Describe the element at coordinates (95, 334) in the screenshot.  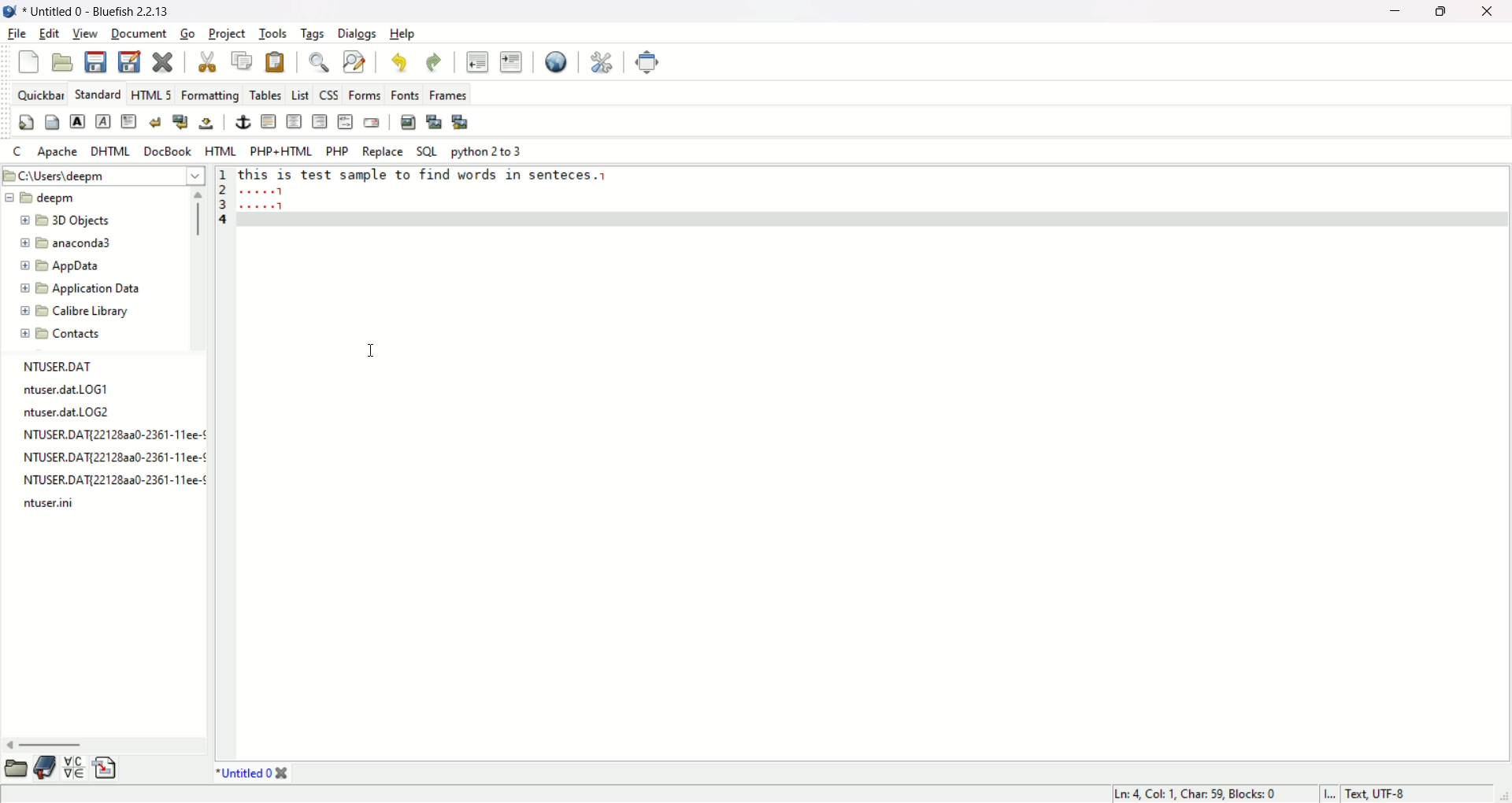
I see `Contacts` at that location.